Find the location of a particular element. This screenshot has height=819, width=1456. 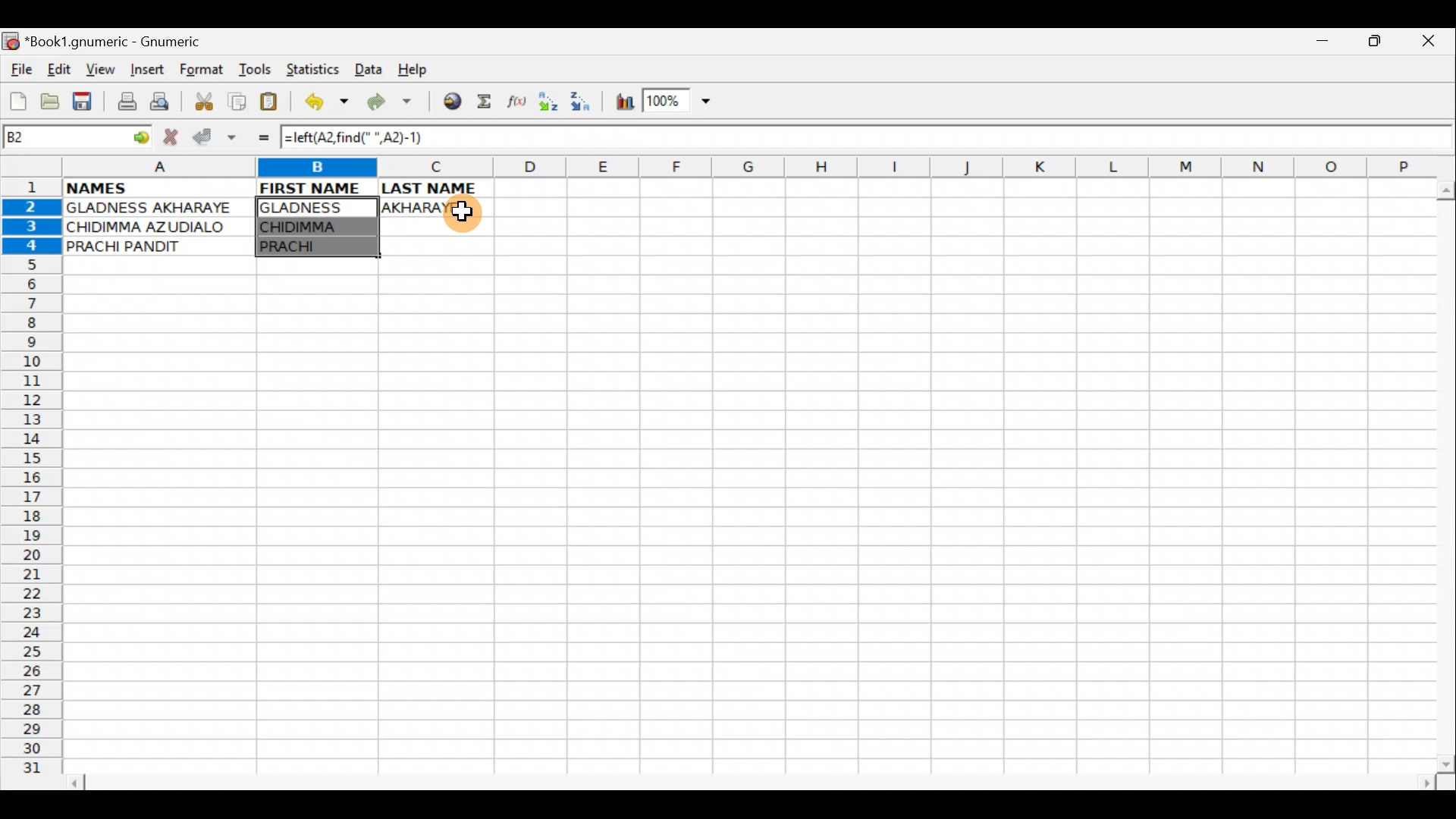

Enter formula is located at coordinates (256, 137).